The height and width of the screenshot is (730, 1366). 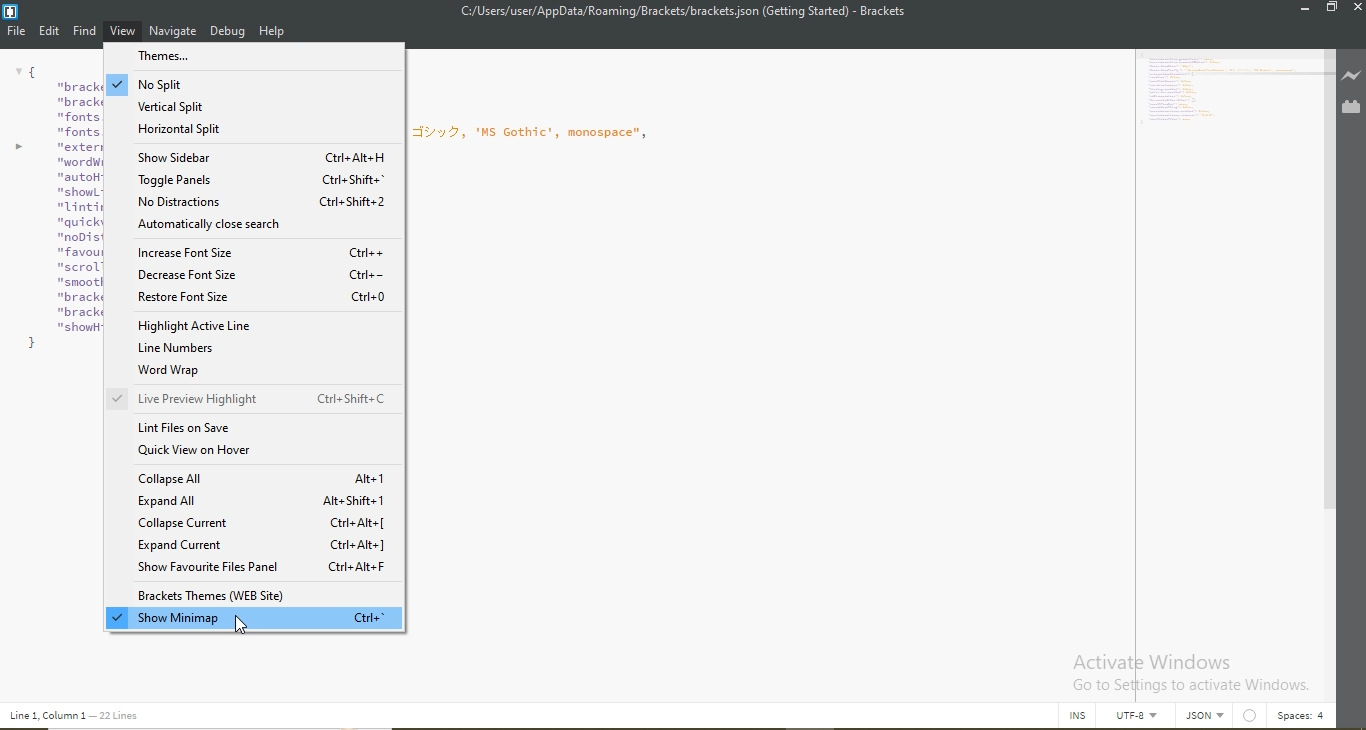 I want to click on collapse all, so click(x=263, y=480).